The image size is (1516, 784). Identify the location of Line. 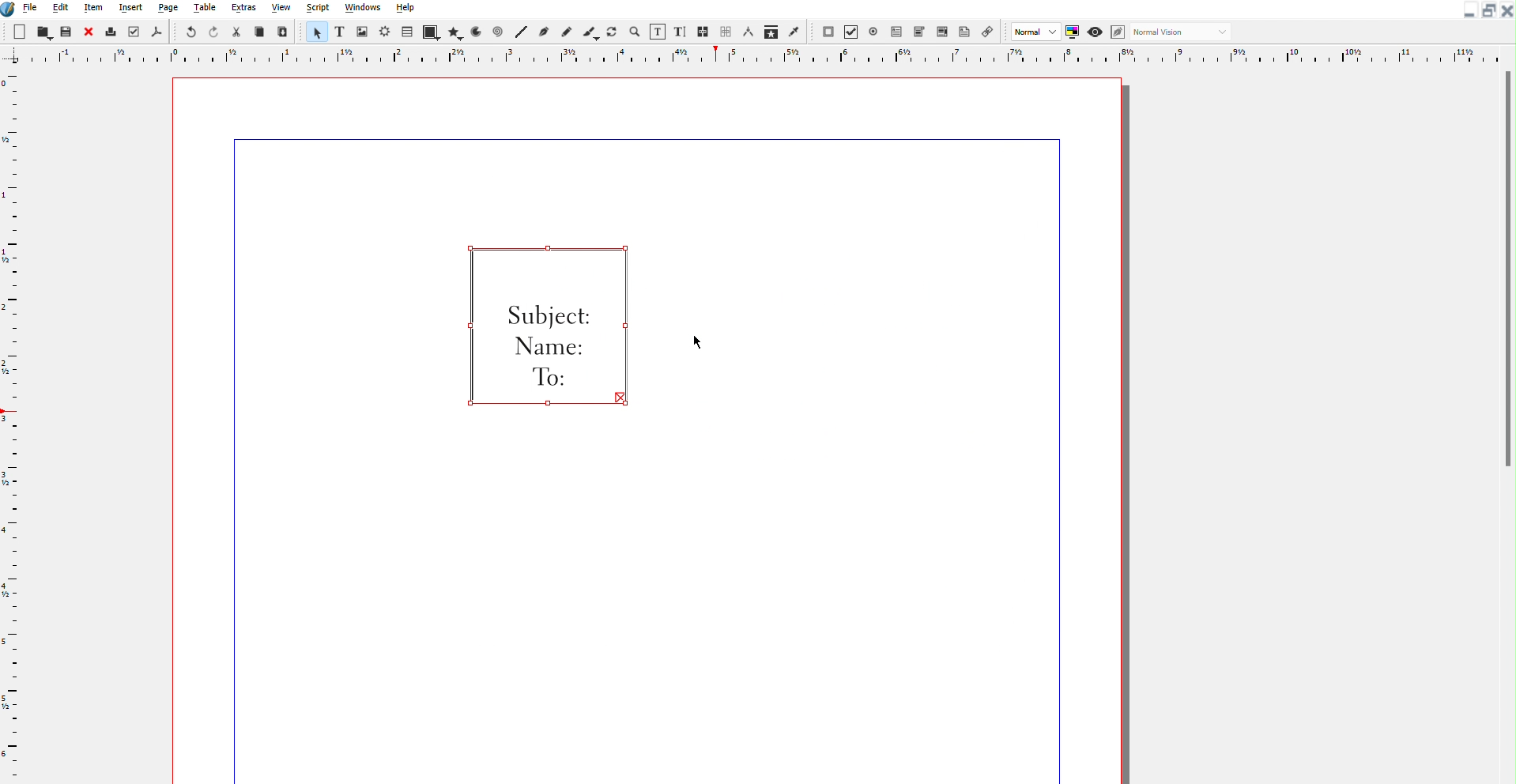
(522, 32).